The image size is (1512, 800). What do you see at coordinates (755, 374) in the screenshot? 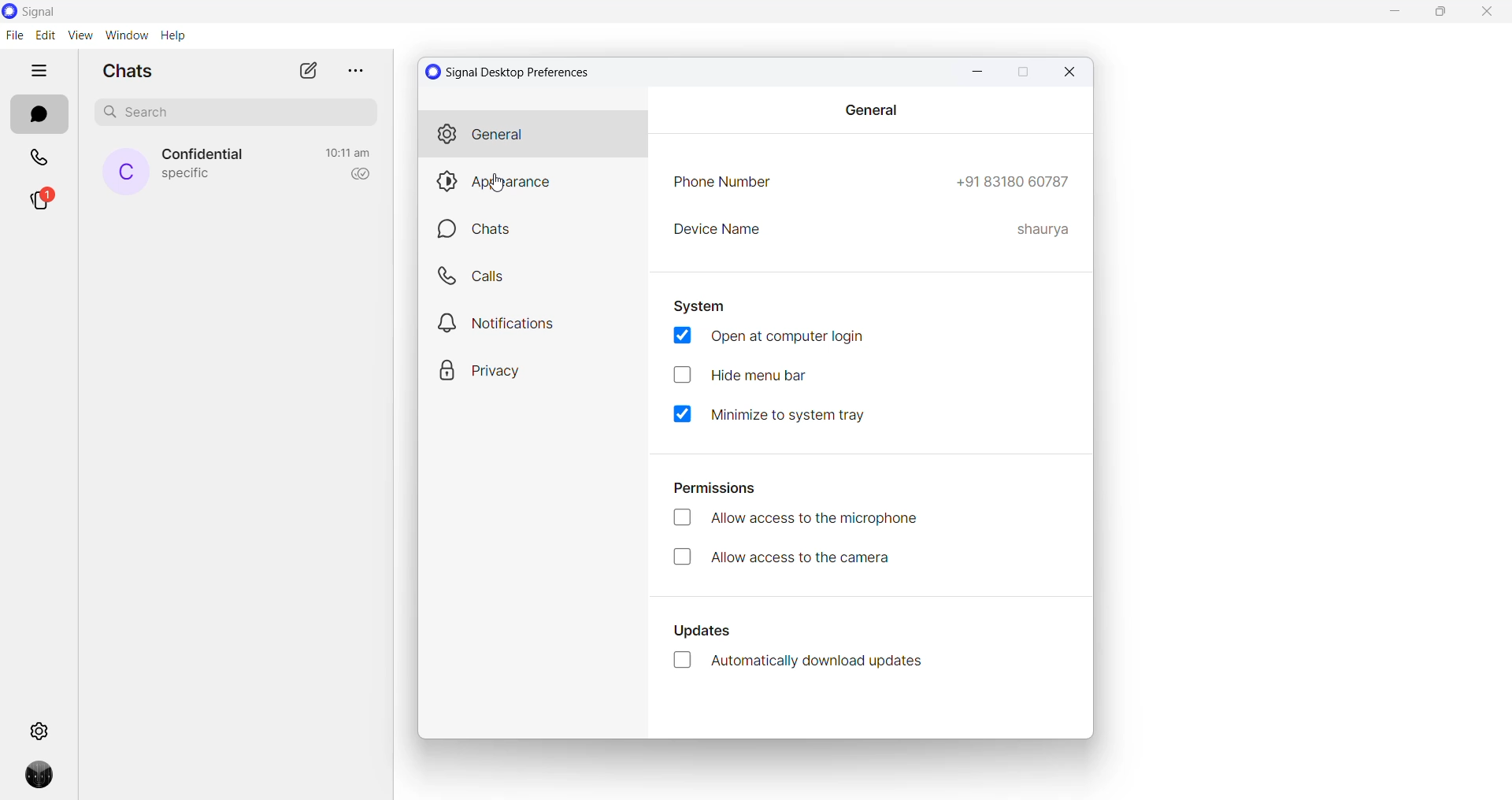
I see `hide menu bar checkbox` at bounding box center [755, 374].